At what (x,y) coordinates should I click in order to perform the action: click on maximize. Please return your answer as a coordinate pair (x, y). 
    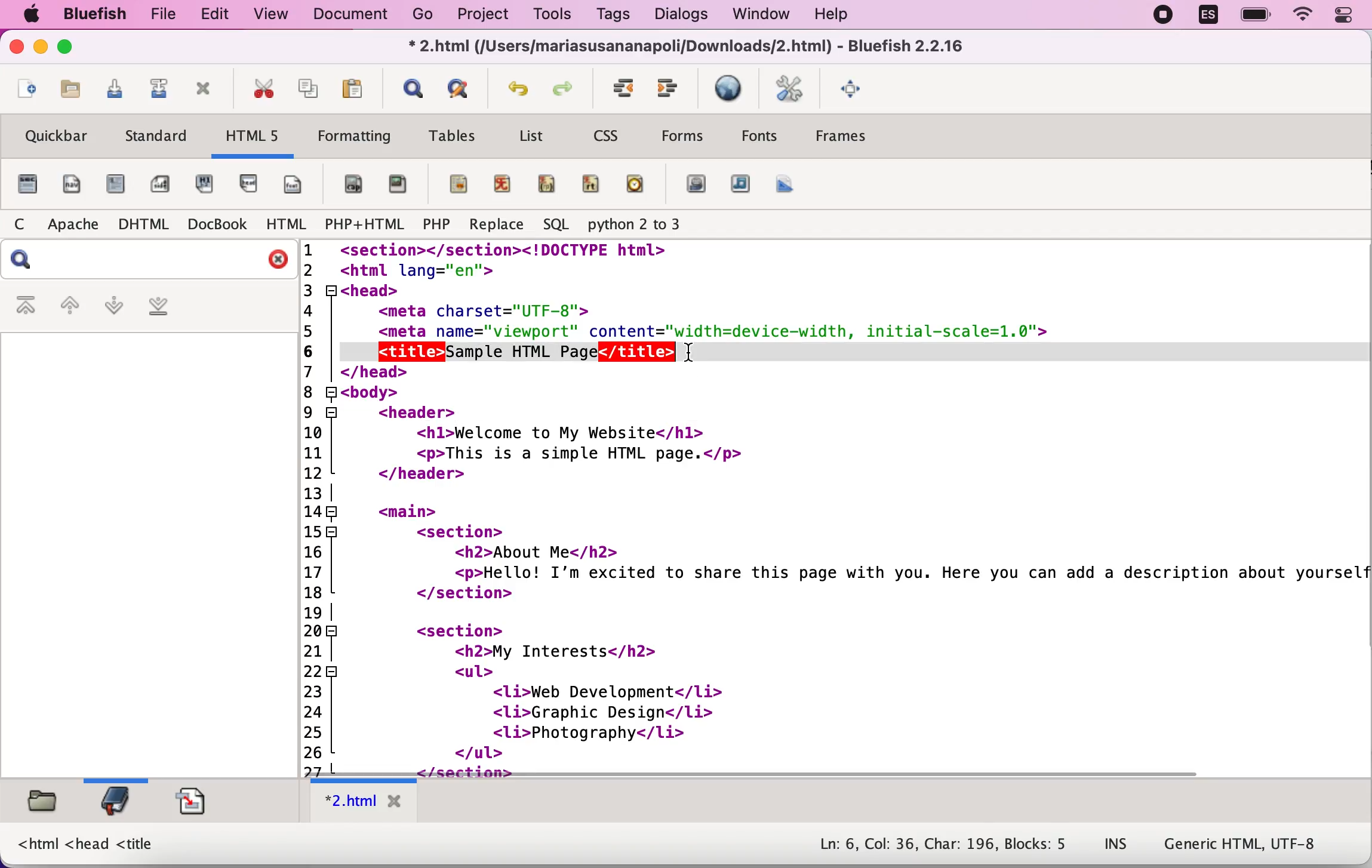
    Looking at the image, I should click on (70, 49).